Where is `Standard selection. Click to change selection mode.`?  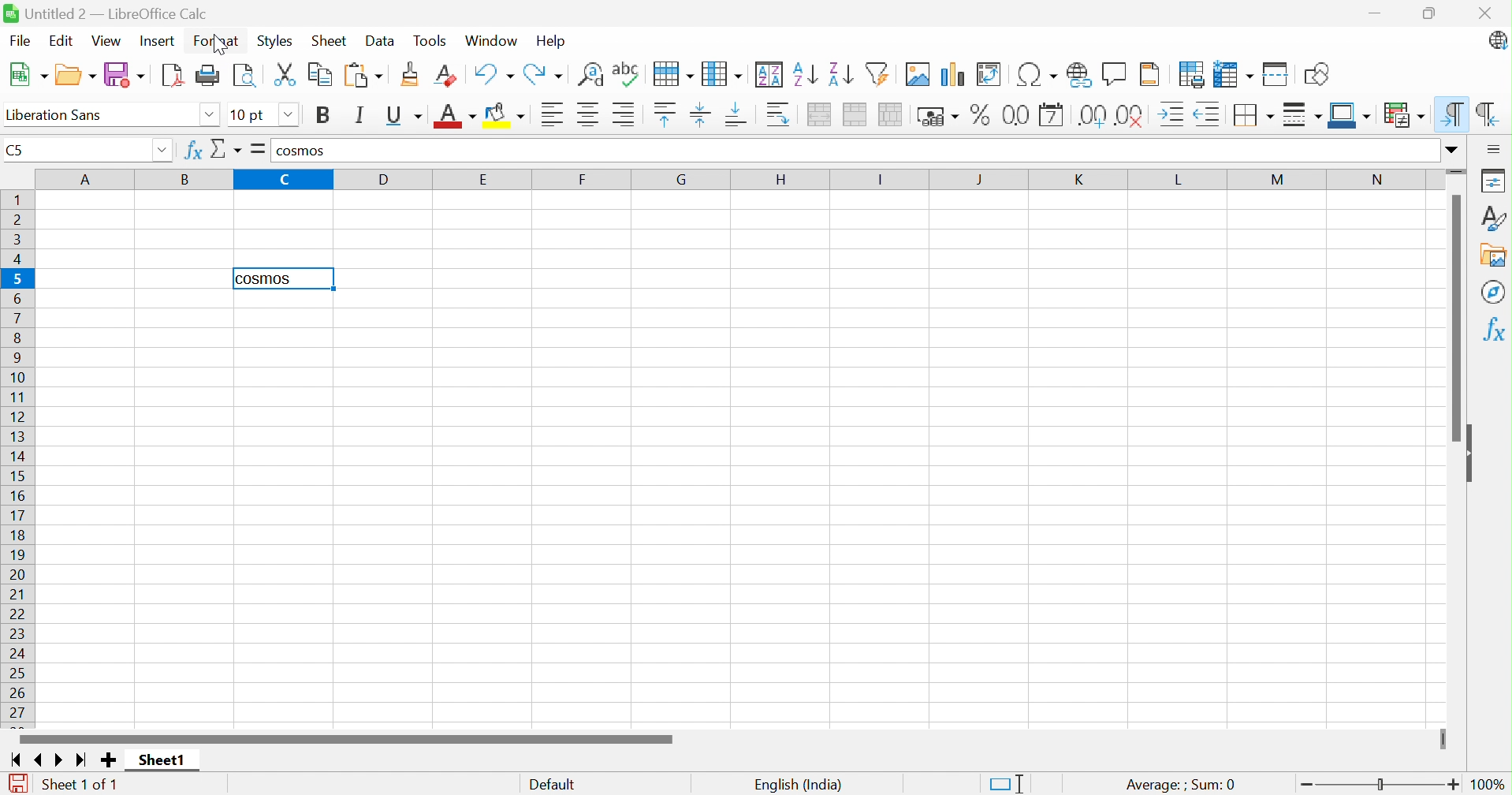
Standard selection. Click to change selection mode. is located at coordinates (1007, 783).